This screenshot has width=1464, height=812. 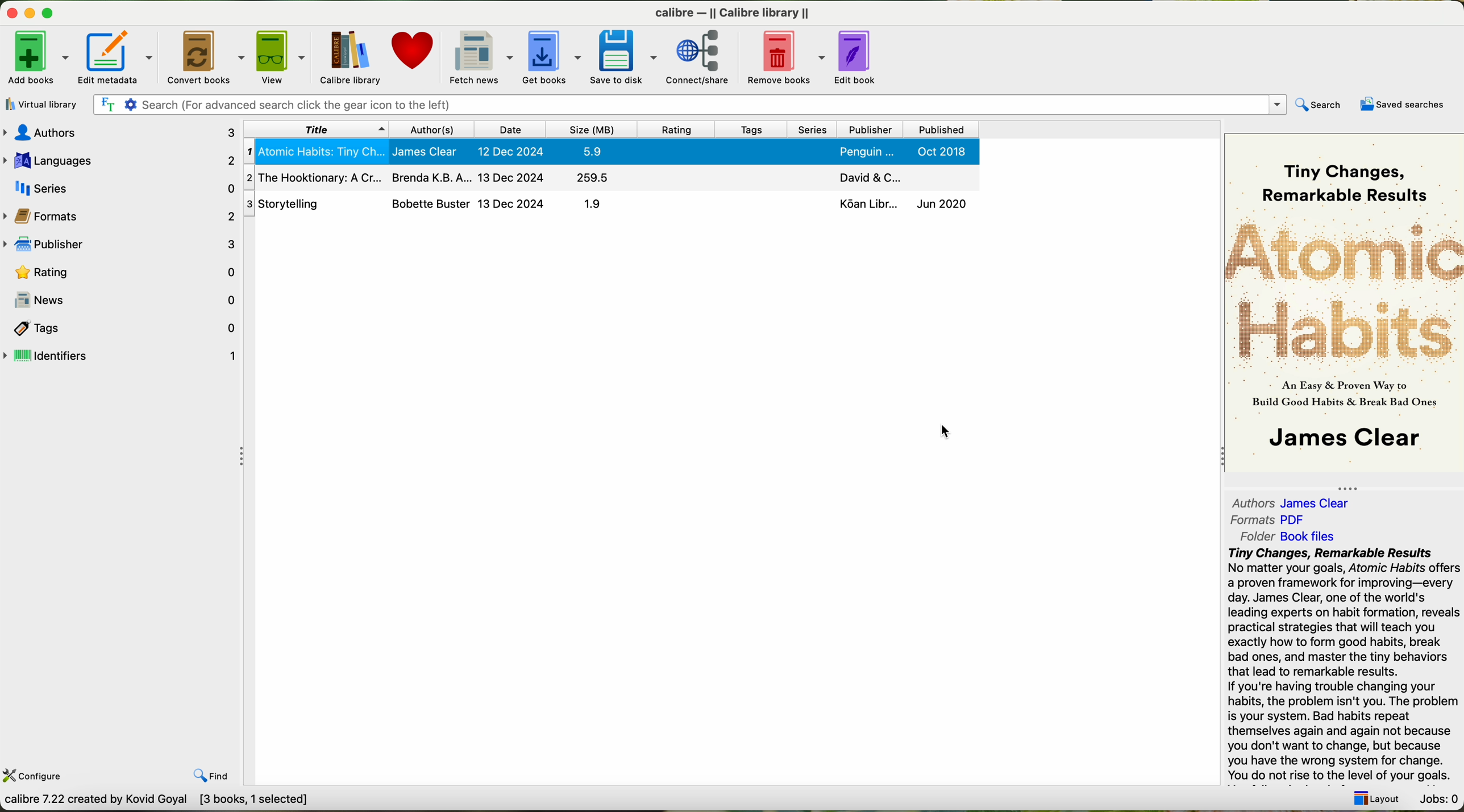 I want to click on series, so click(x=121, y=188).